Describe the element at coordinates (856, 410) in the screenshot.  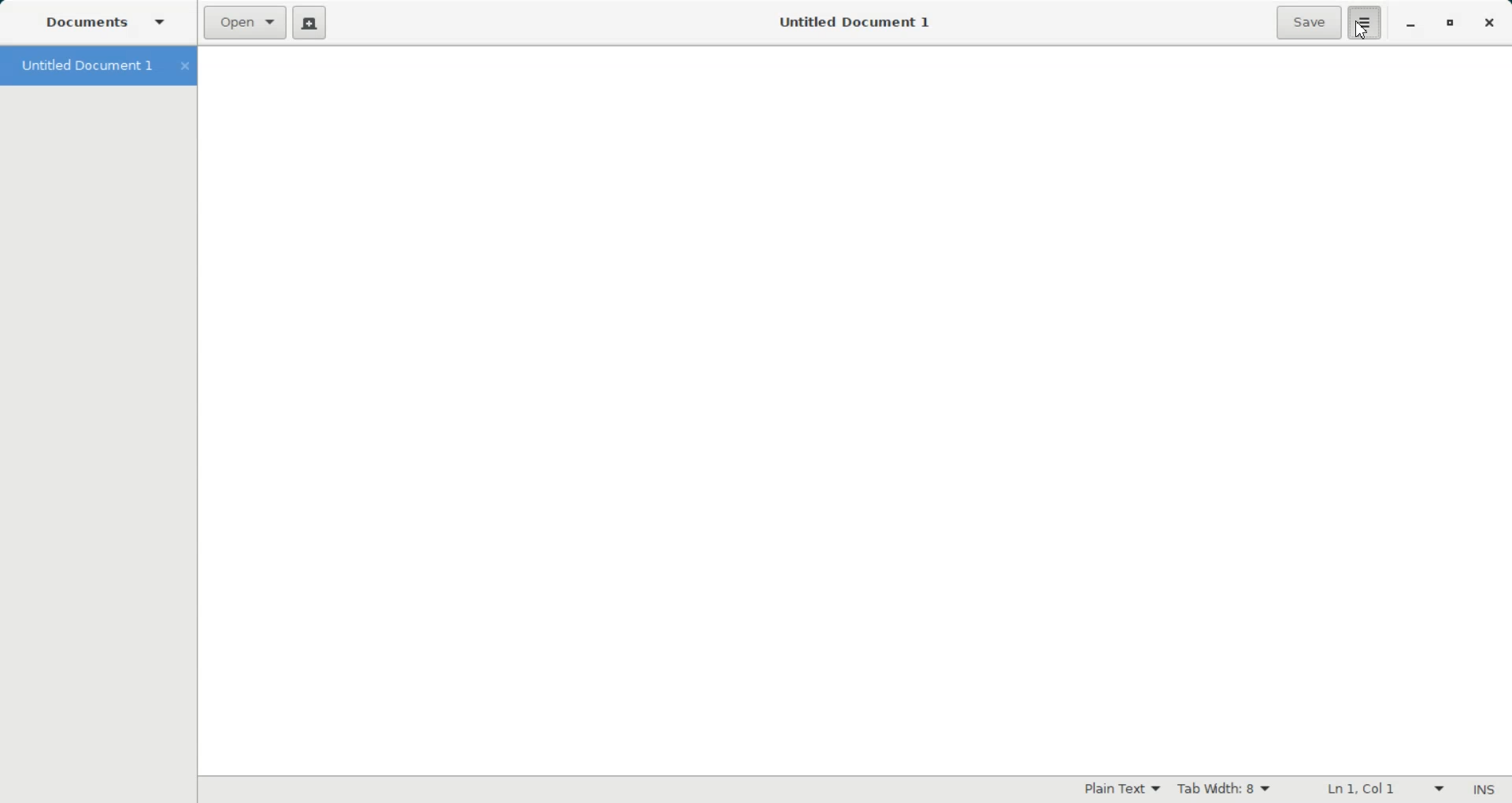
I see `Text Entry Pane` at that location.